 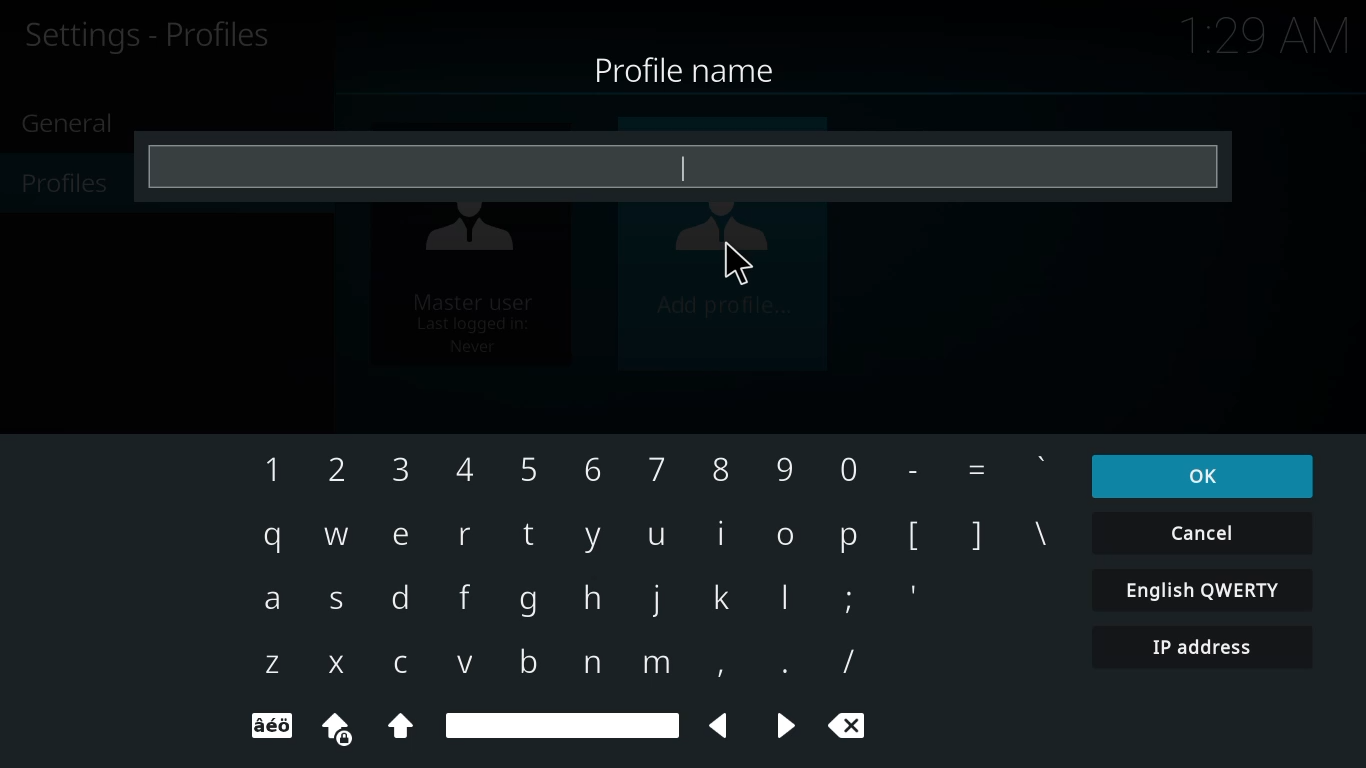 I want to click on 7, so click(x=659, y=470).